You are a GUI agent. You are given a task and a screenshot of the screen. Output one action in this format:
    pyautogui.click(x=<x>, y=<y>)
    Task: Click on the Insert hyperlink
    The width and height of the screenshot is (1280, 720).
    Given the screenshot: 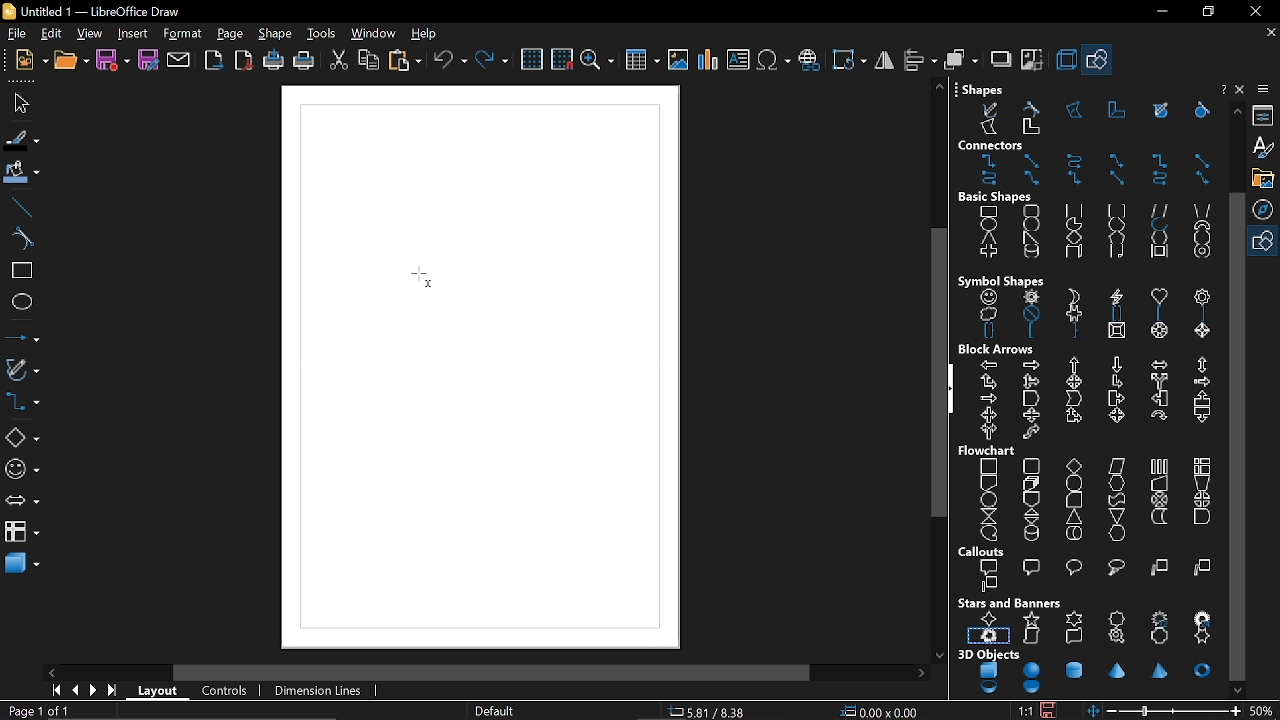 What is the action you would take?
    pyautogui.click(x=810, y=61)
    